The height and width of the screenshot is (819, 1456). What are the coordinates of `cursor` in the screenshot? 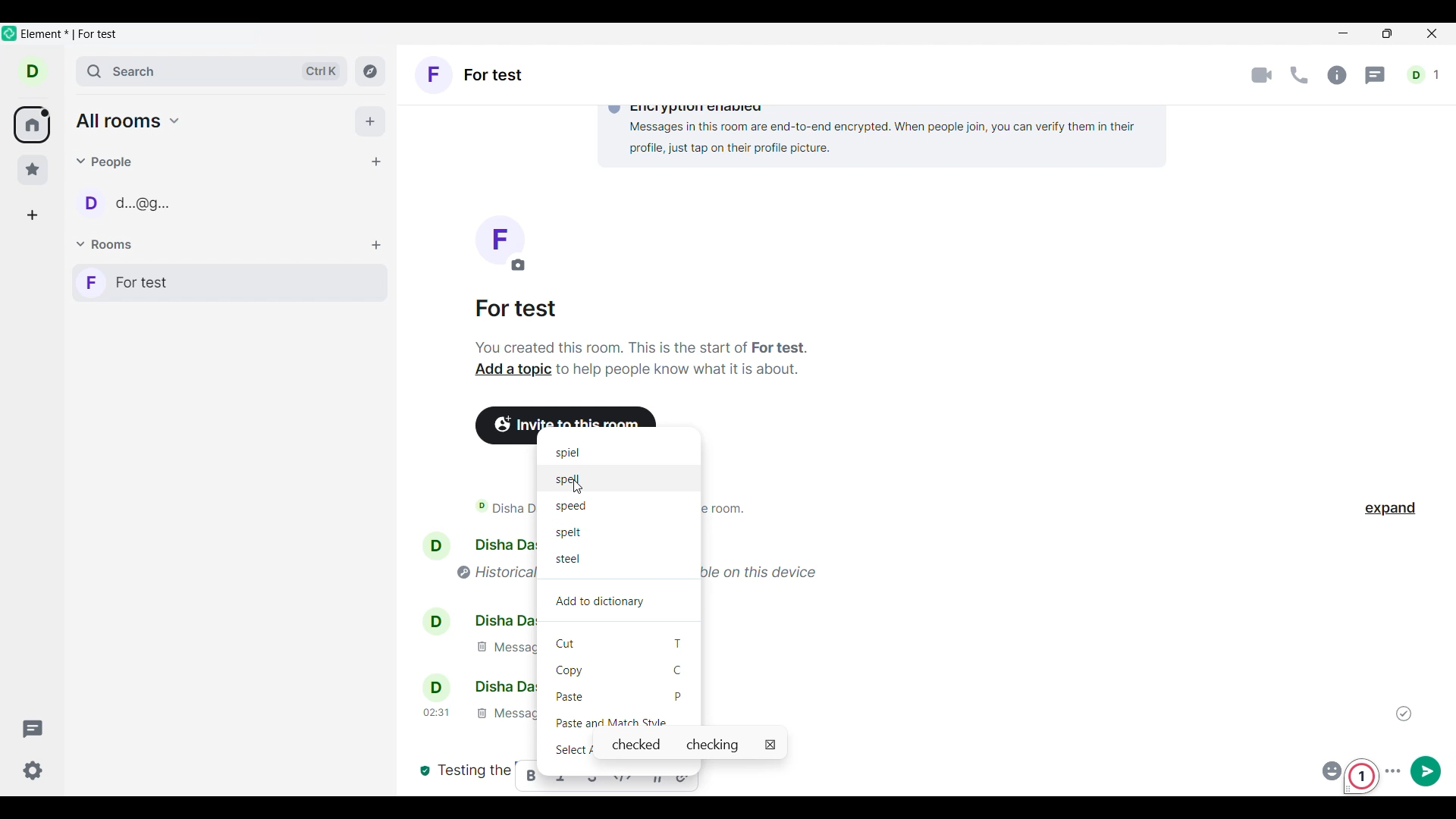 It's located at (578, 489).